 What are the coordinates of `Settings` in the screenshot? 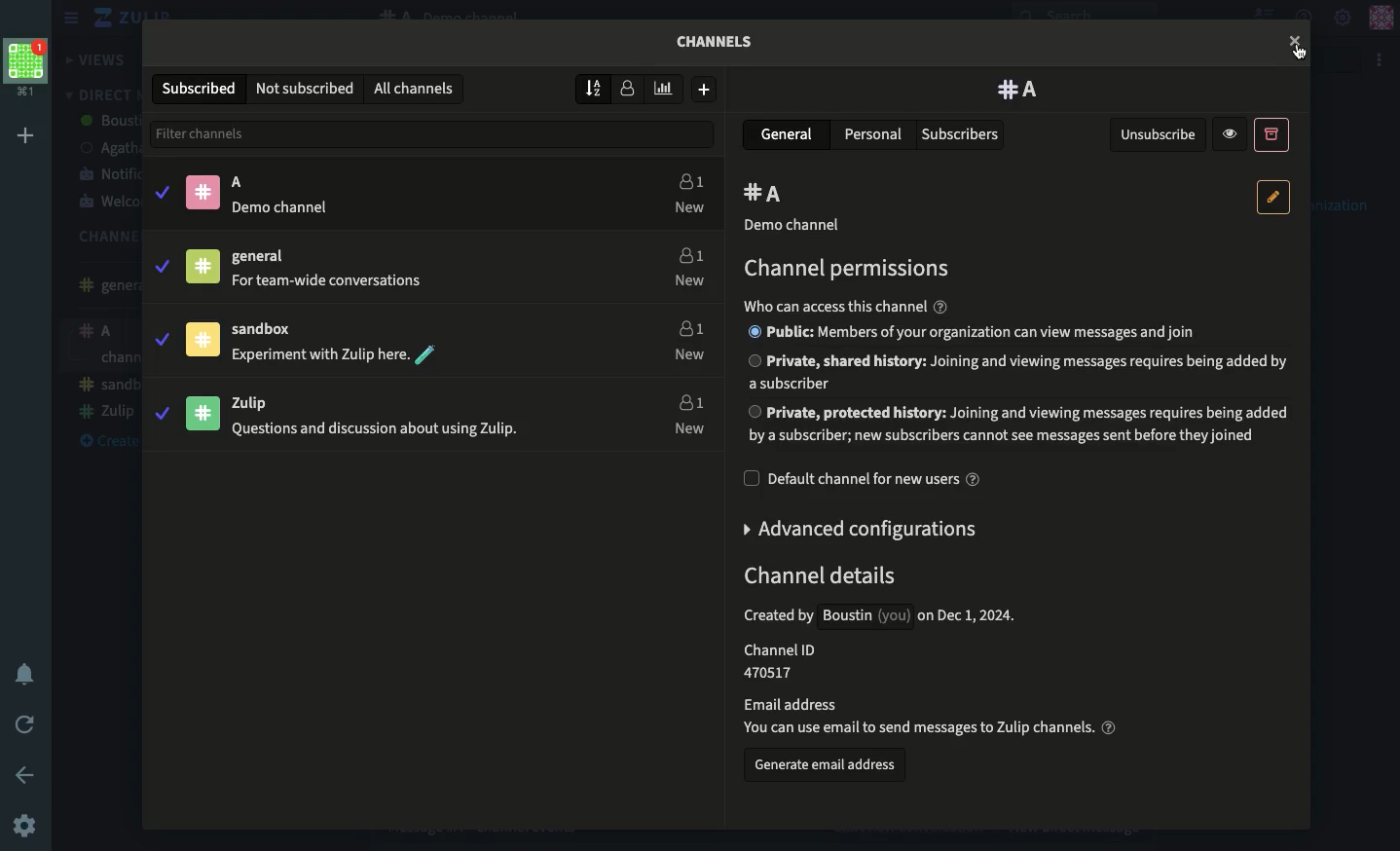 It's located at (25, 828).